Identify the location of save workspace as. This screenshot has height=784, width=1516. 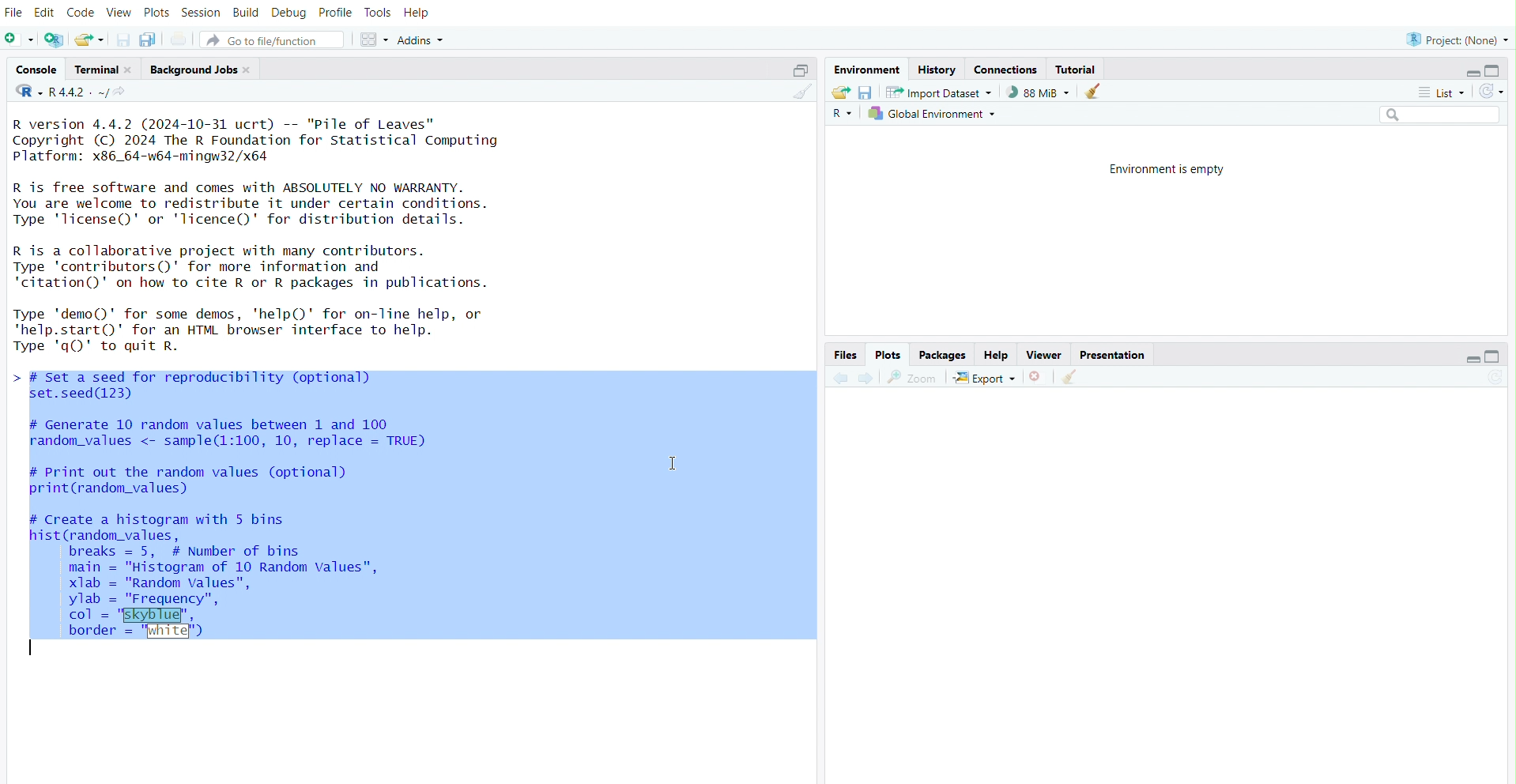
(866, 92).